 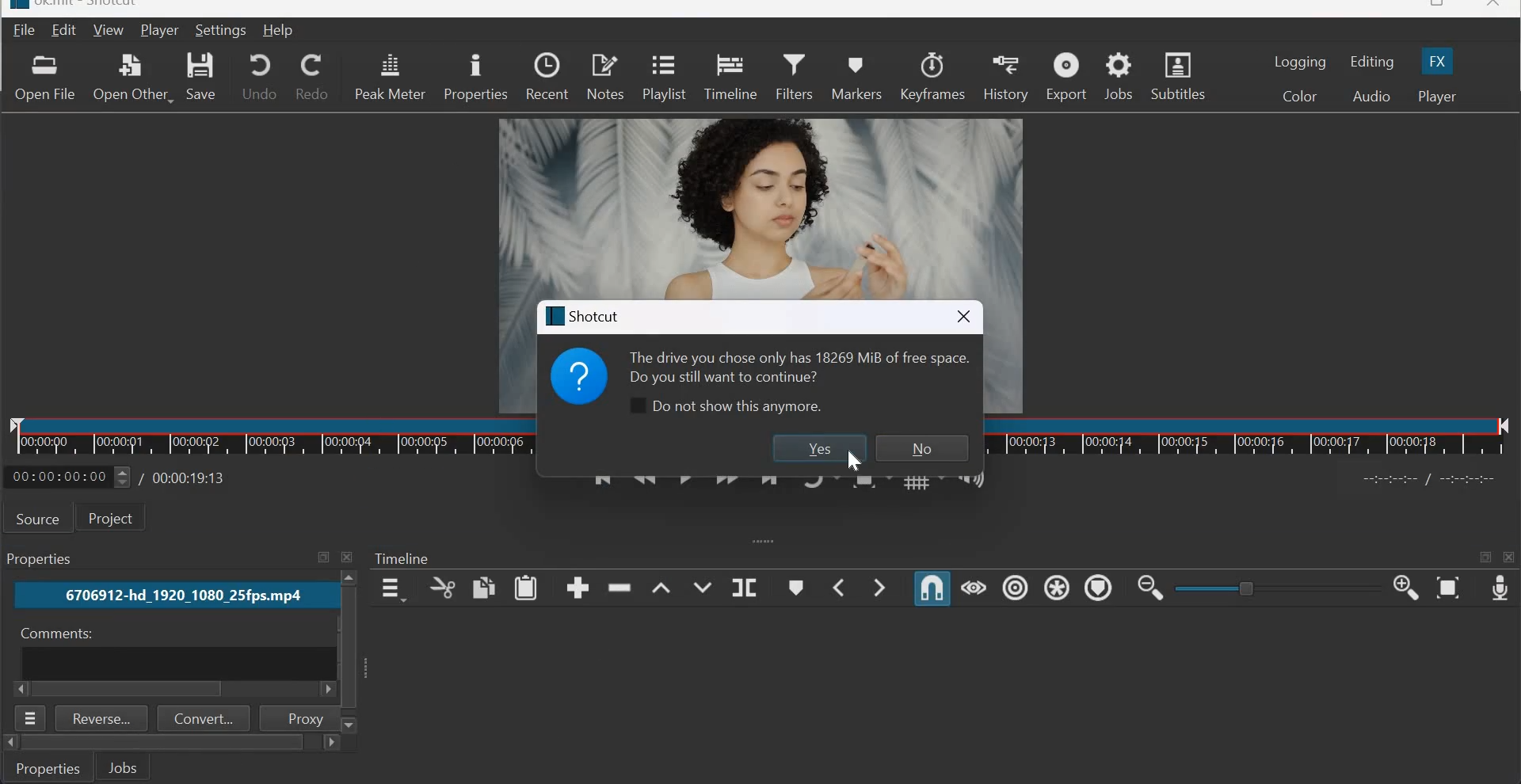 What do you see at coordinates (132, 75) in the screenshot?
I see `Open other` at bounding box center [132, 75].